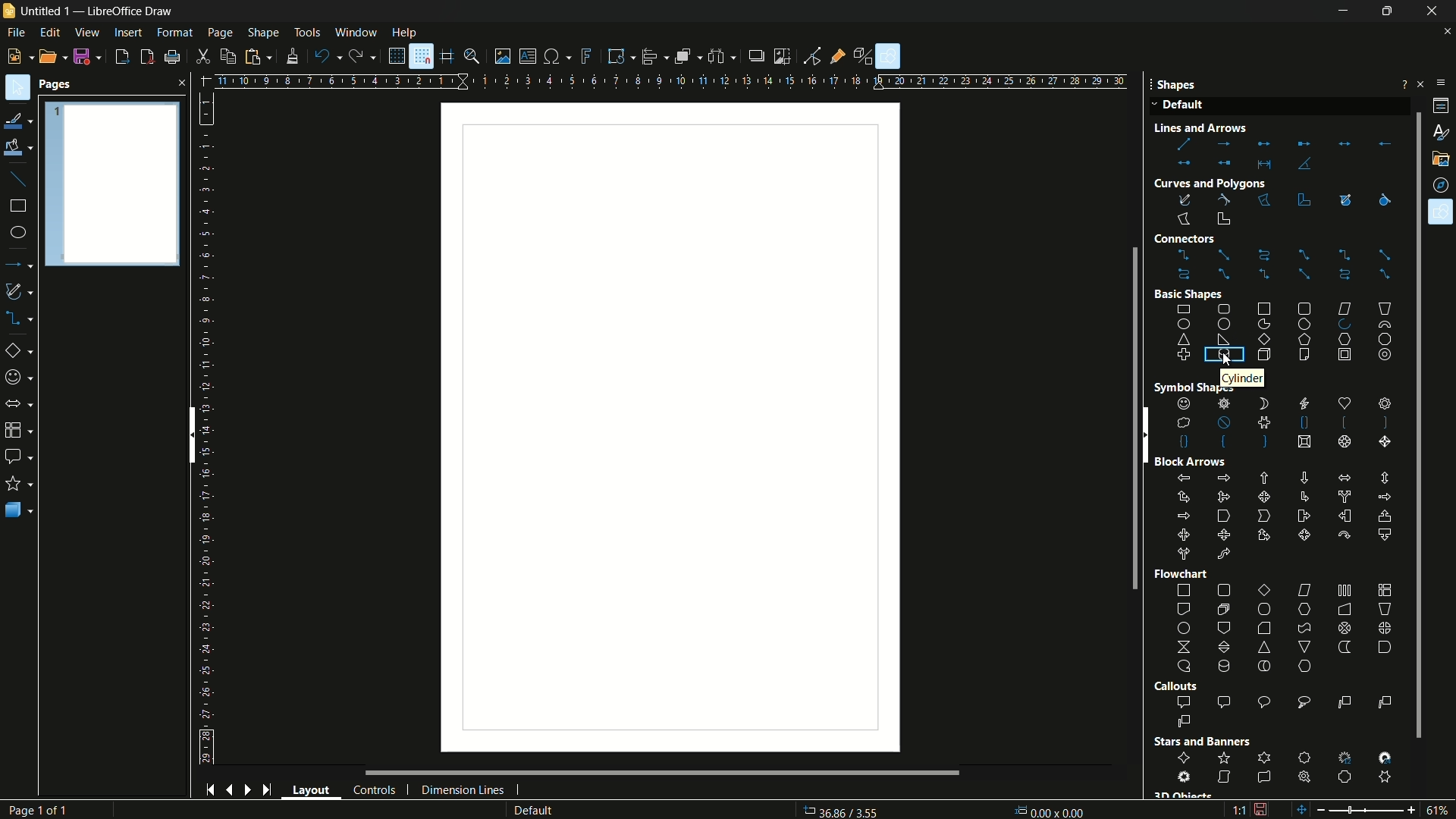 The height and width of the screenshot is (819, 1456). I want to click on zoom out, so click(1345, 810).